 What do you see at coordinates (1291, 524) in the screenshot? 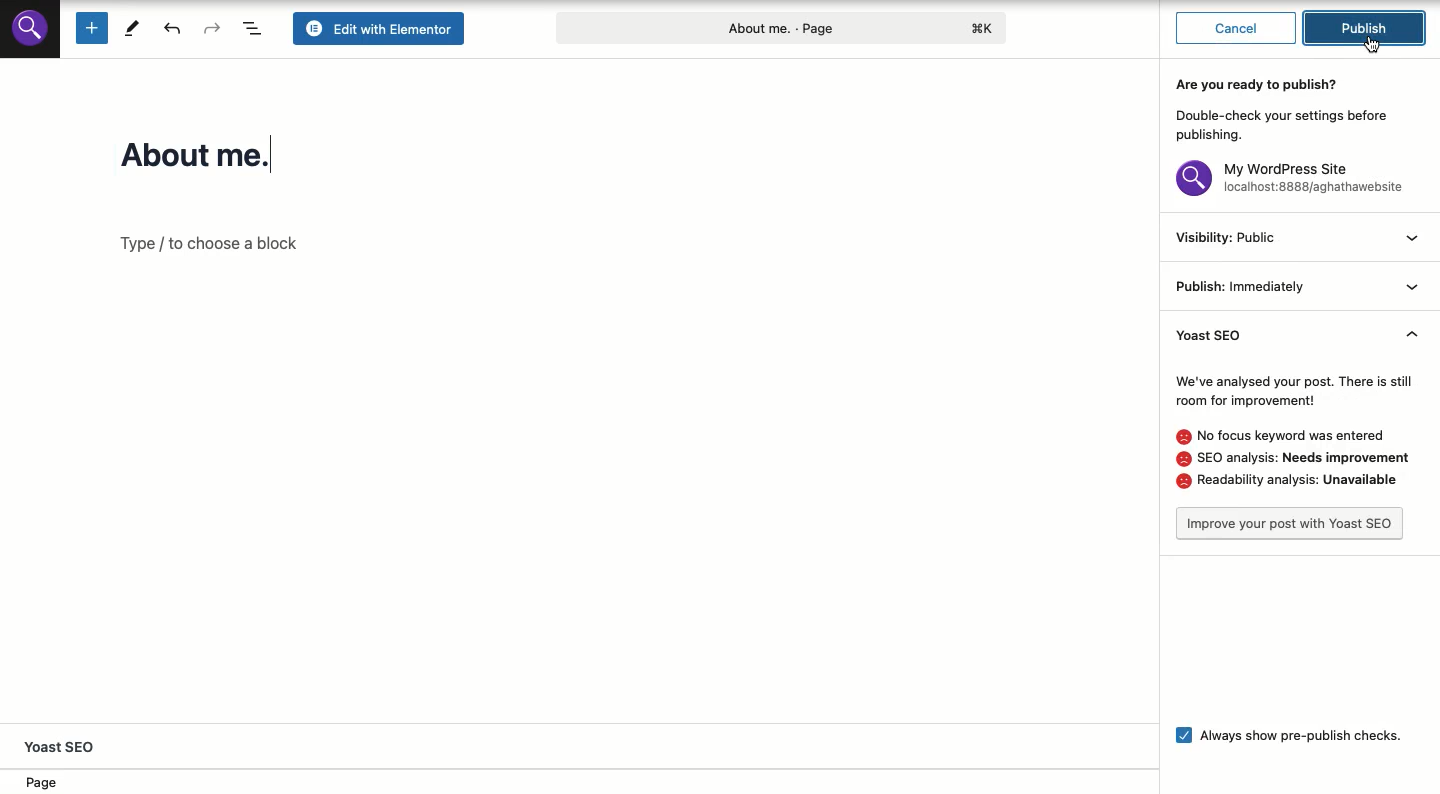
I see `Improve your post with Yoast SEO` at bounding box center [1291, 524].